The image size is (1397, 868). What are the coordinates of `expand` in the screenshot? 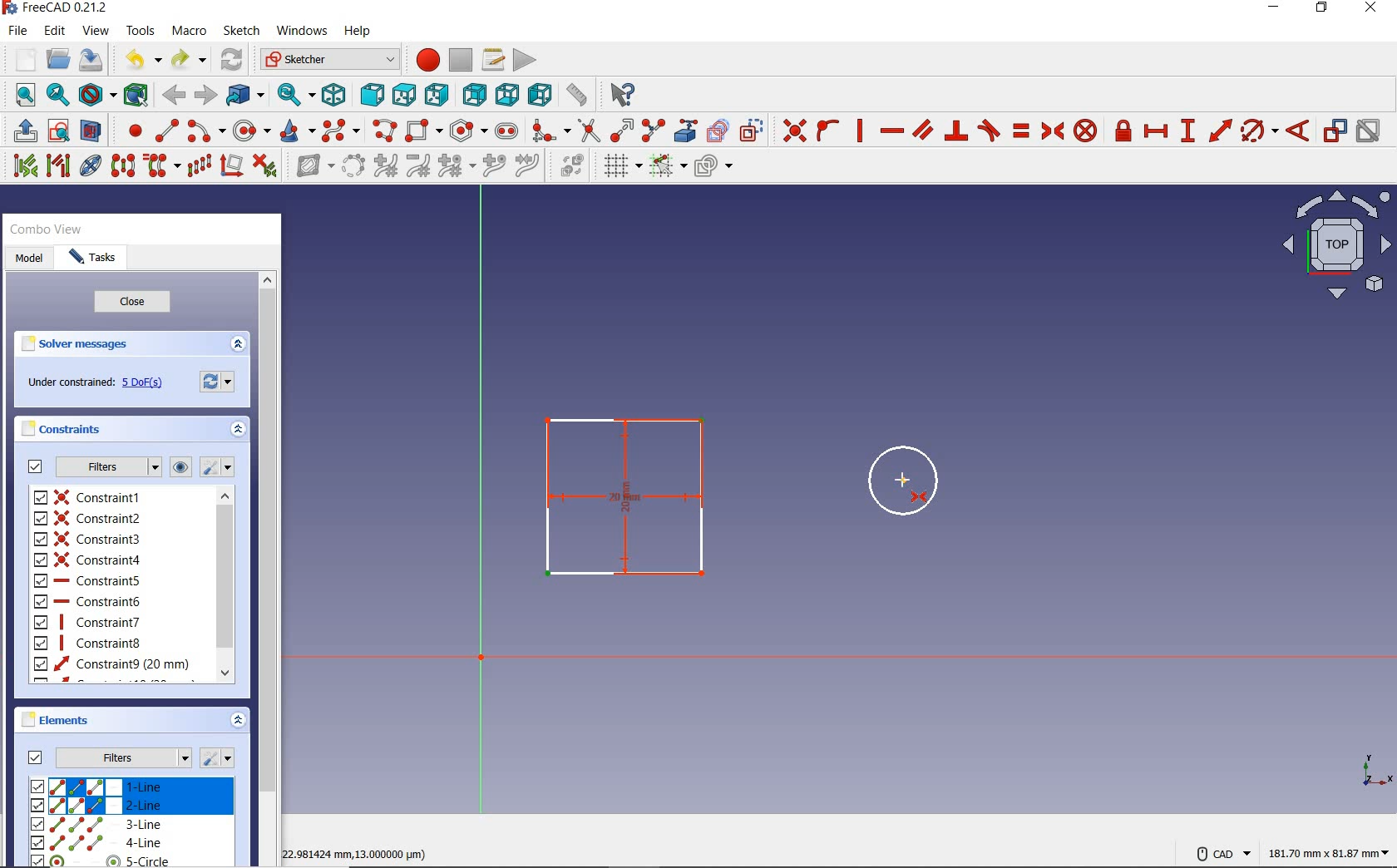 It's located at (239, 718).